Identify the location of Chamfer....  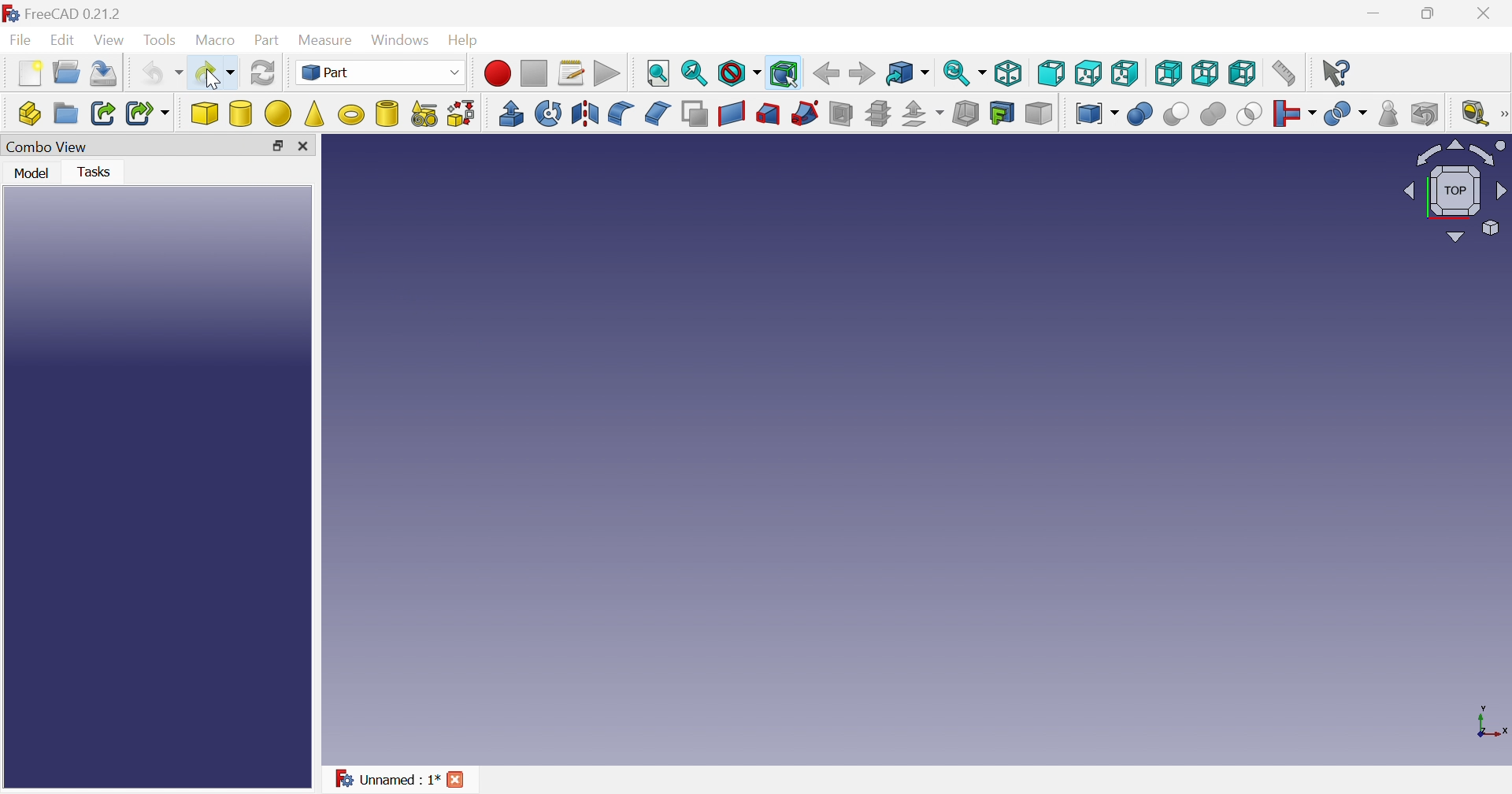
(658, 113).